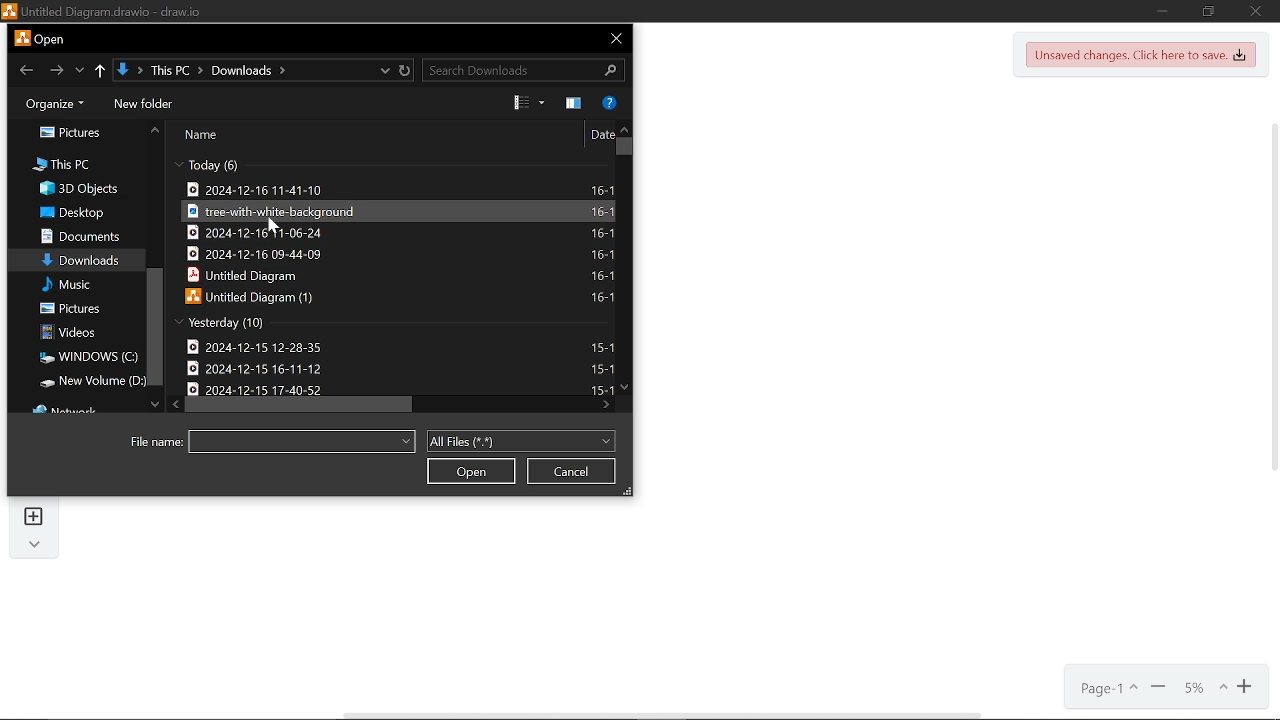  What do you see at coordinates (174, 403) in the screenshot?
I see `Move left` at bounding box center [174, 403].